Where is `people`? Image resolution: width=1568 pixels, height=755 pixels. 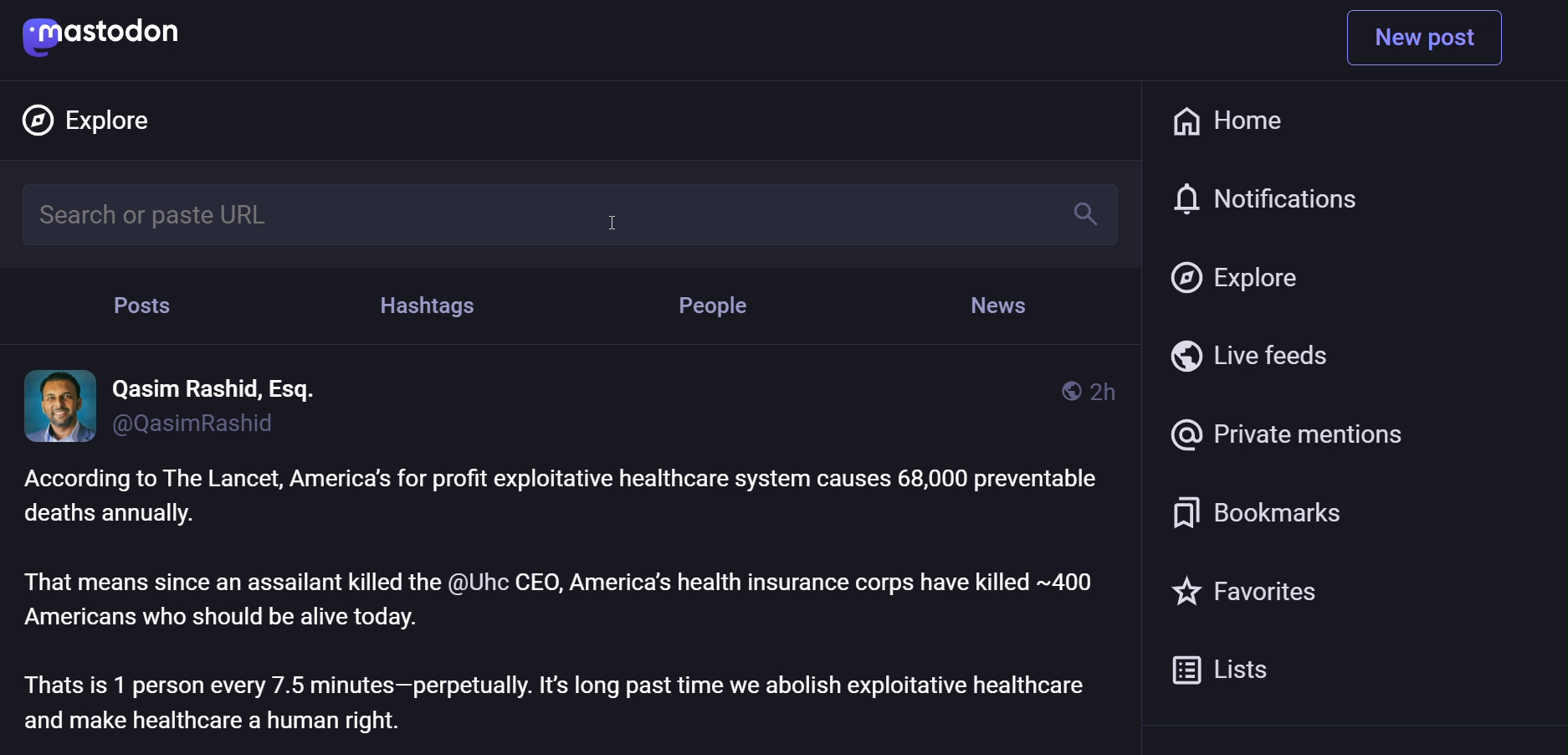
people is located at coordinates (715, 306).